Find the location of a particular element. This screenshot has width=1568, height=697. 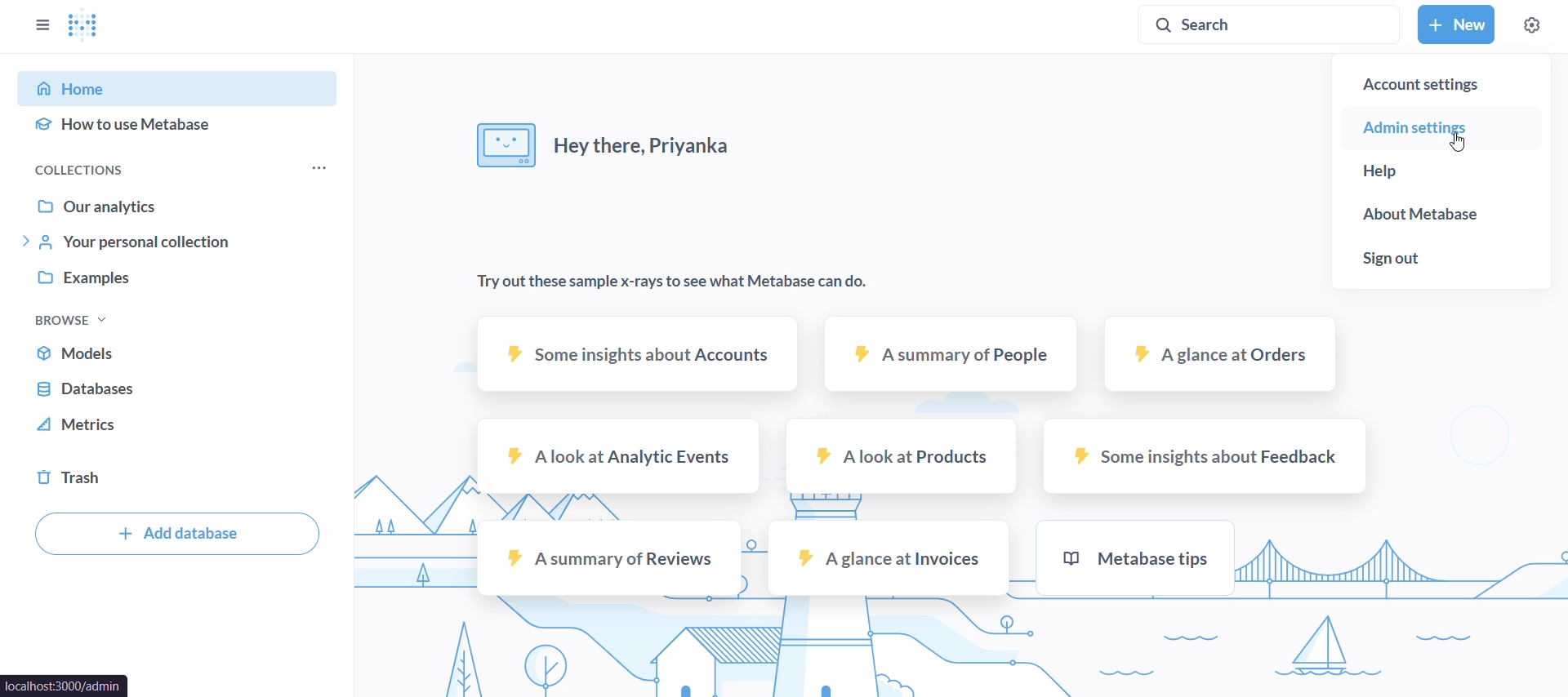

new is located at coordinates (1453, 24).